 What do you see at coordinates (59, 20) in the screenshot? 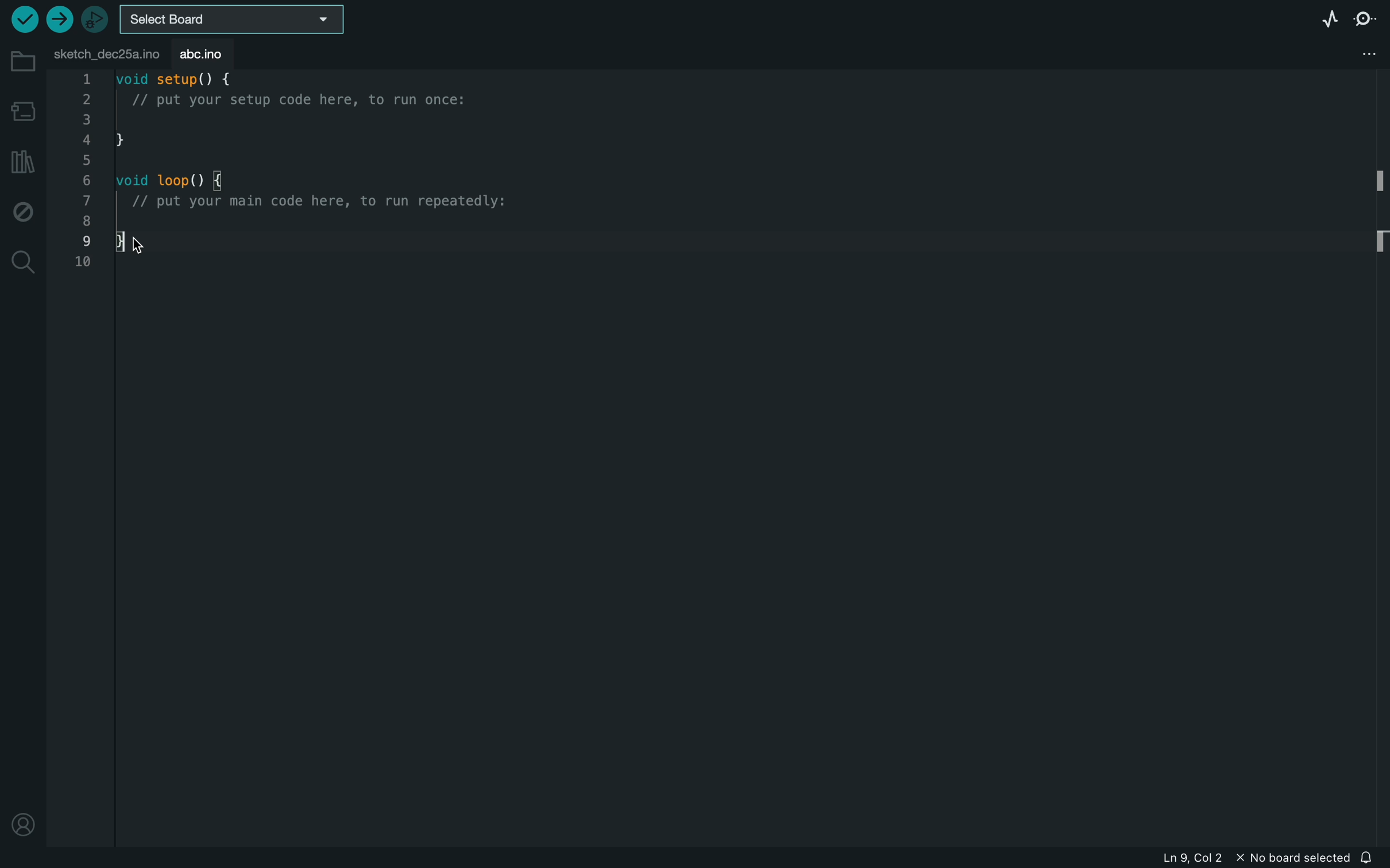
I see `upload ` at bounding box center [59, 20].